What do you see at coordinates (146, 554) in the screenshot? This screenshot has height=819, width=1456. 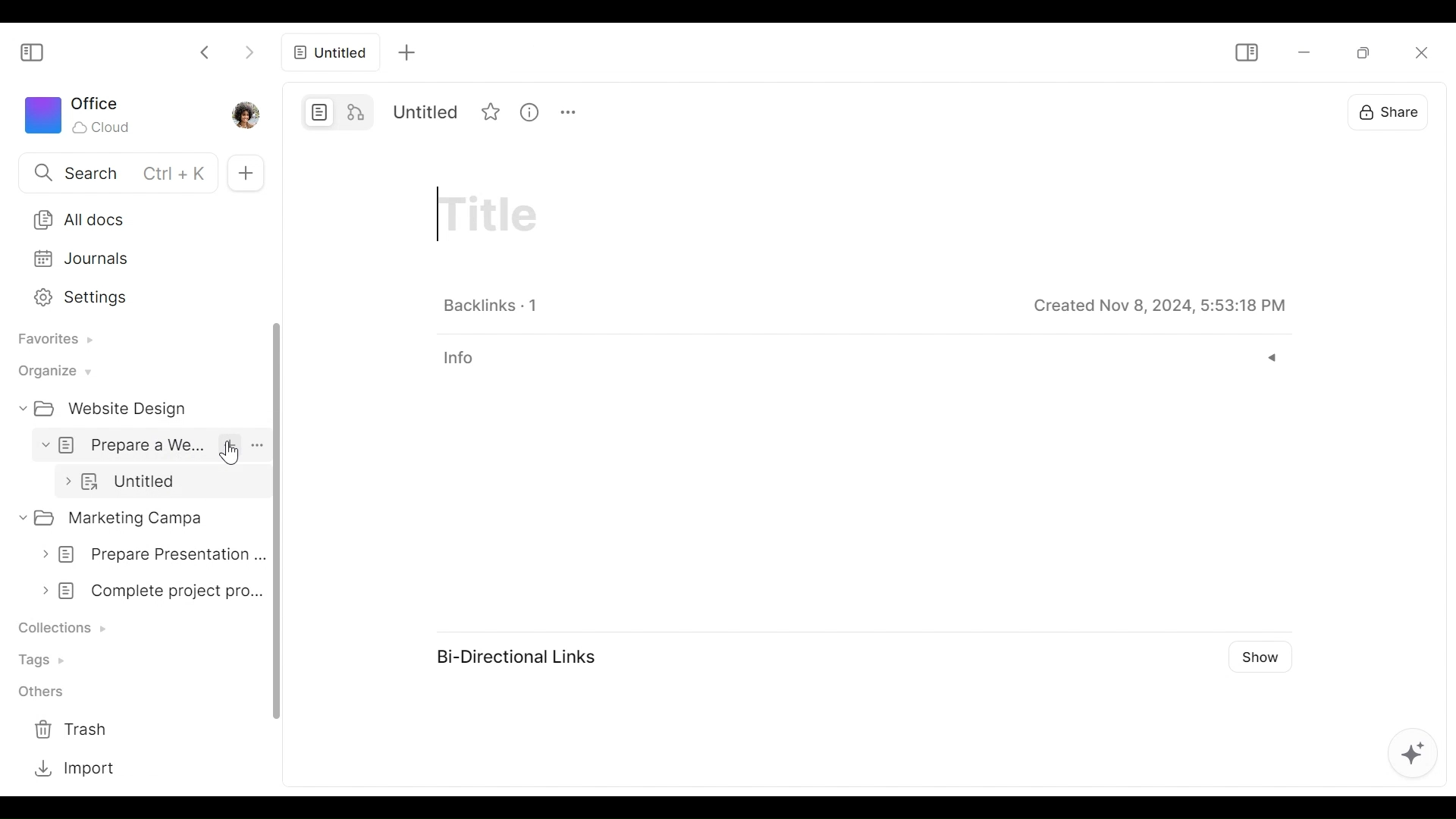 I see `Document` at bounding box center [146, 554].